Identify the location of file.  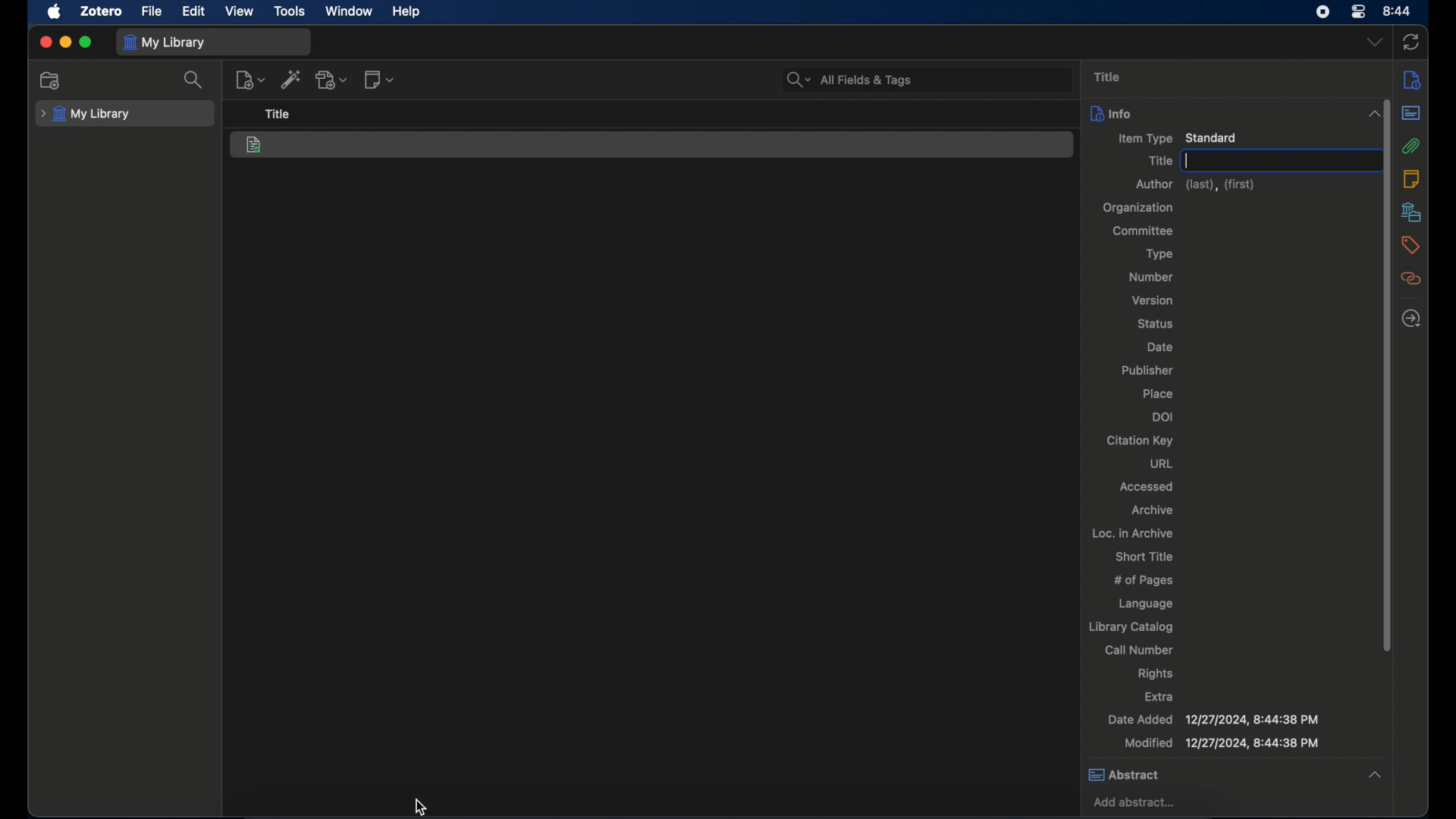
(151, 11).